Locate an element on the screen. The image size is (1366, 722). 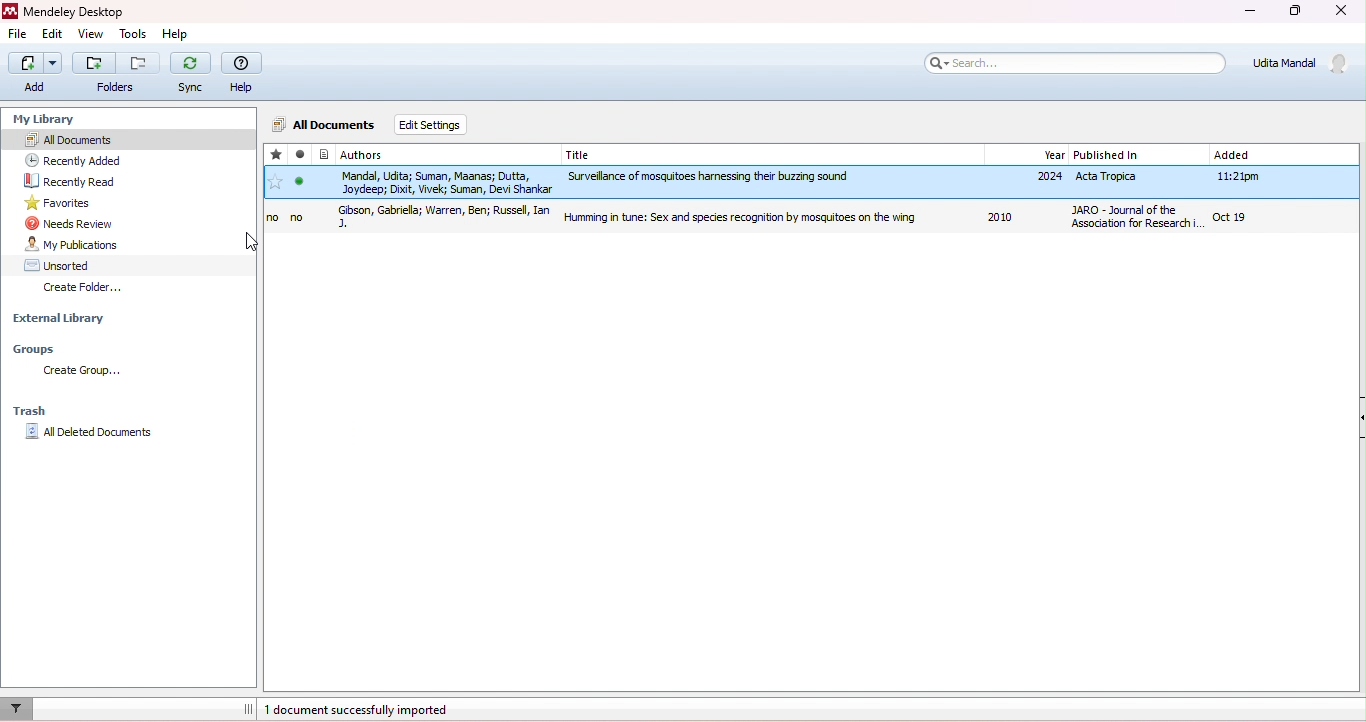
cursor movement is located at coordinates (252, 241).